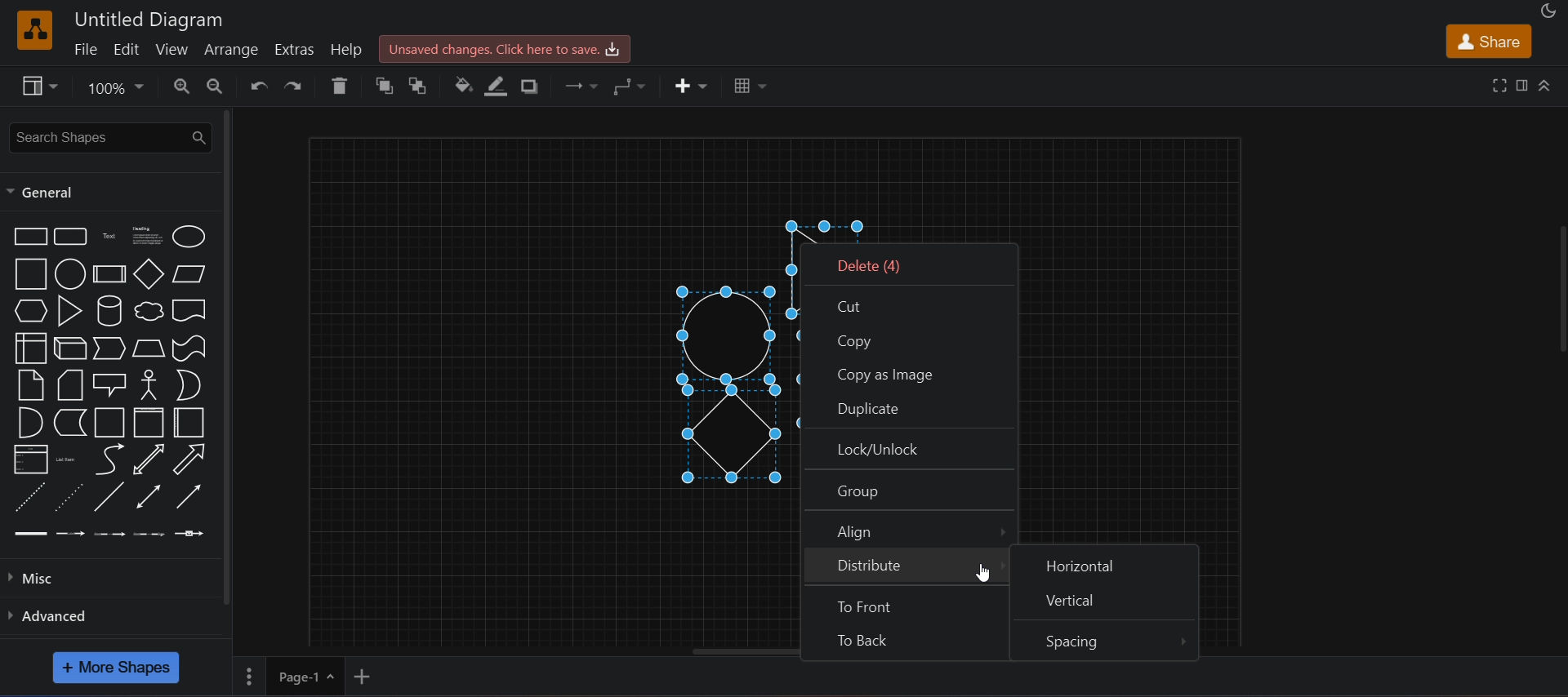  I want to click on to front, so click(905, 605).